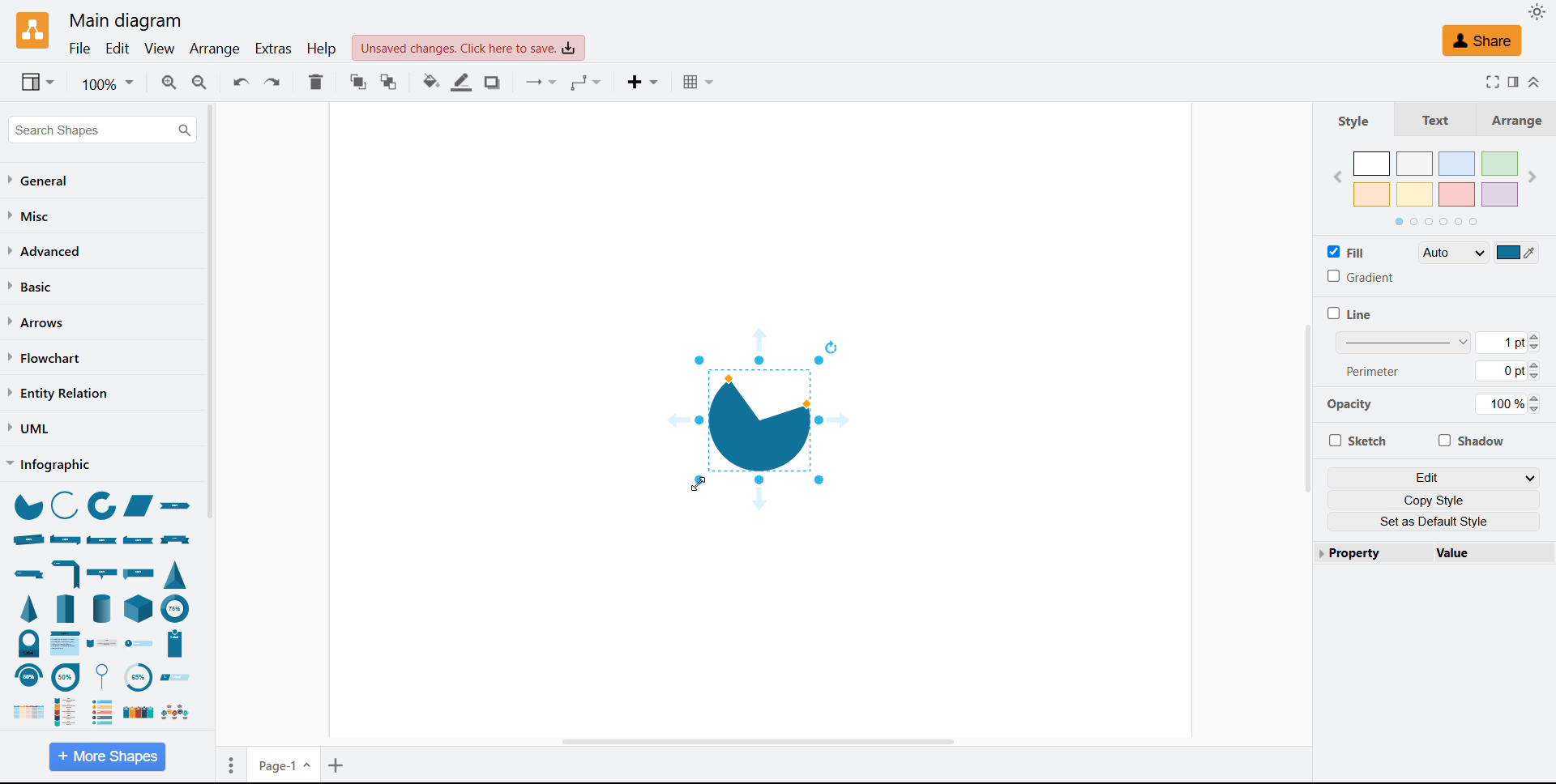 The width and height of the screenshot is (1556, 784). What do you see at coordinates (698, 484) in the screenshot?
I see `Cursor ` at bounding box center [698, 484].